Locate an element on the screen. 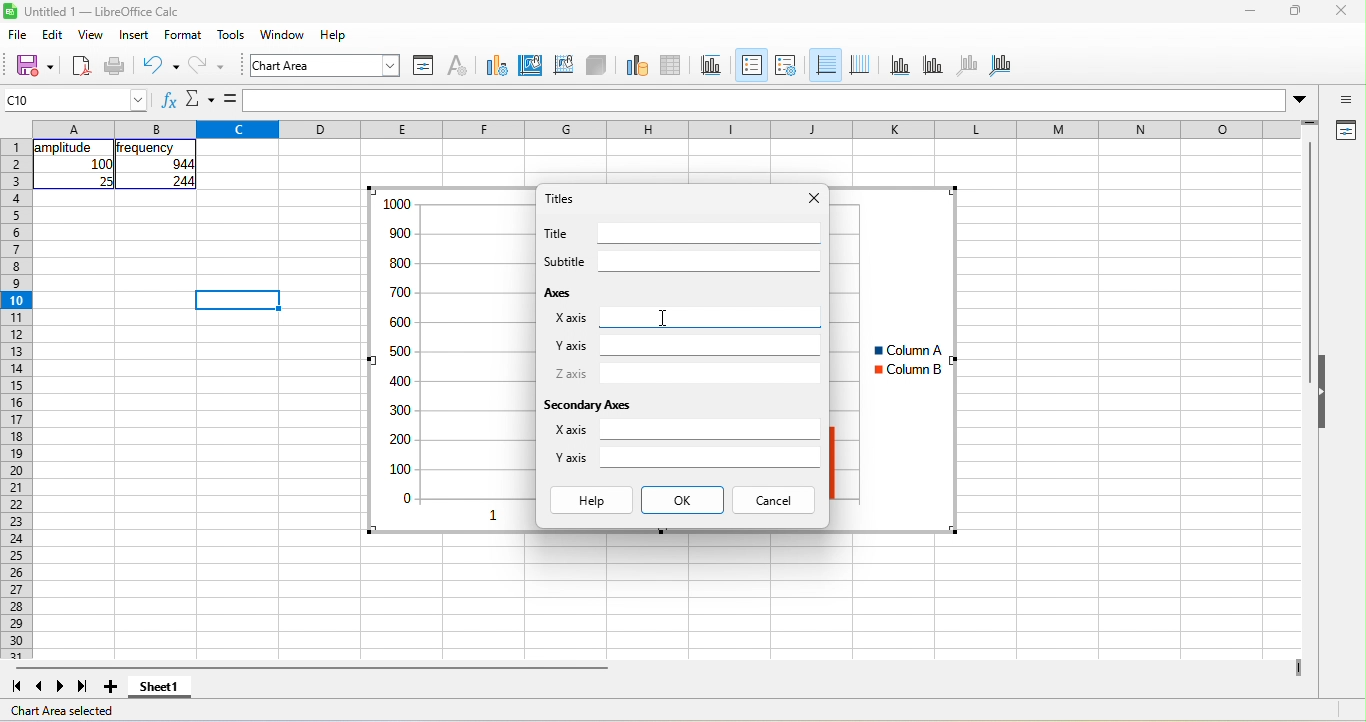  chart area selected is located at coordinates (62, 711).